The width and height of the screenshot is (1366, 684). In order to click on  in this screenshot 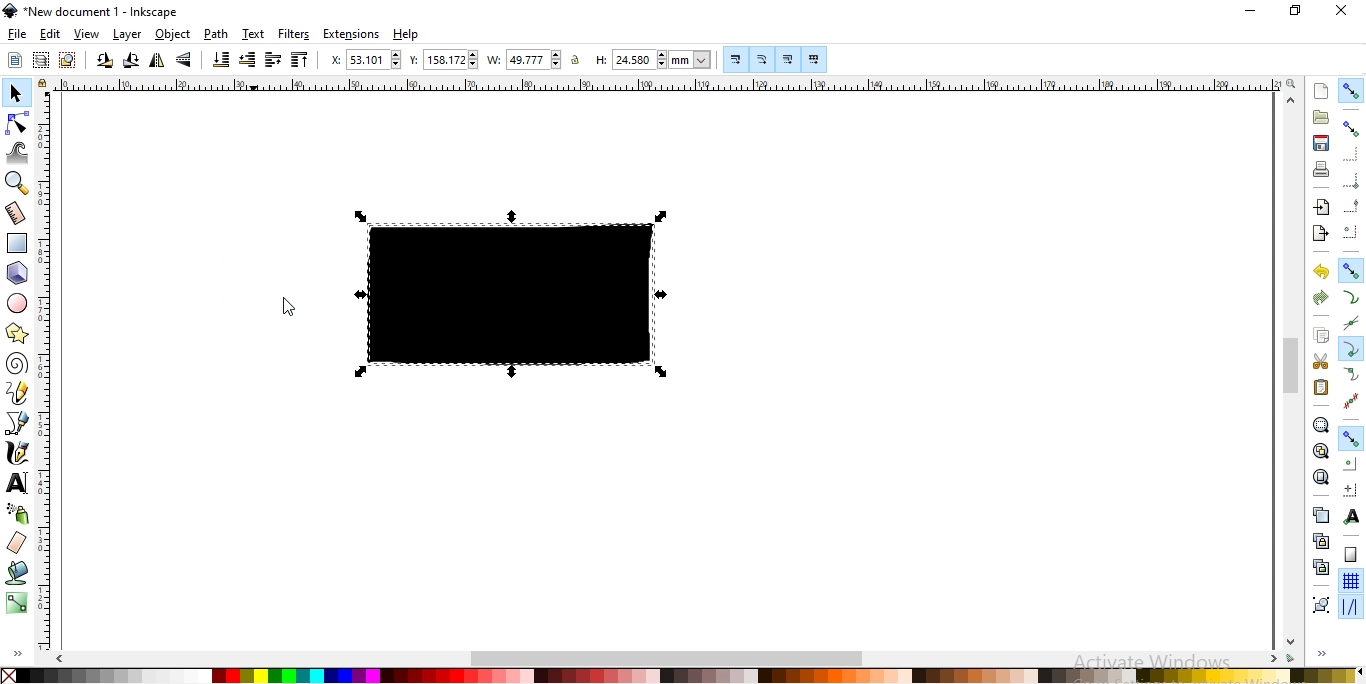, I will do `click(789, 59)`.